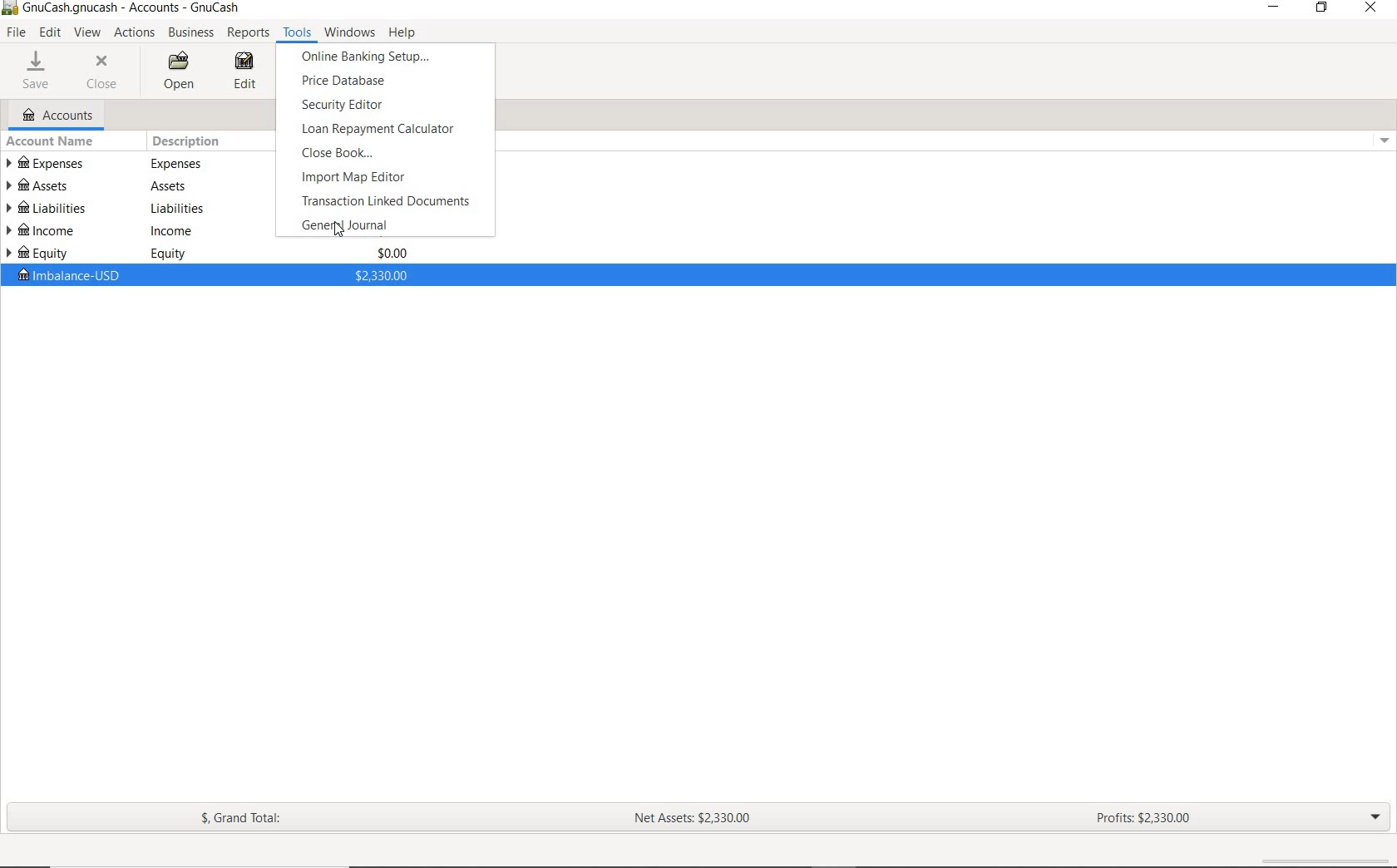 The image size is (1397, 868). Describe the element at coordinates (1322, 7) in the screenshot. I see `RESTORE DOWN` at that location.